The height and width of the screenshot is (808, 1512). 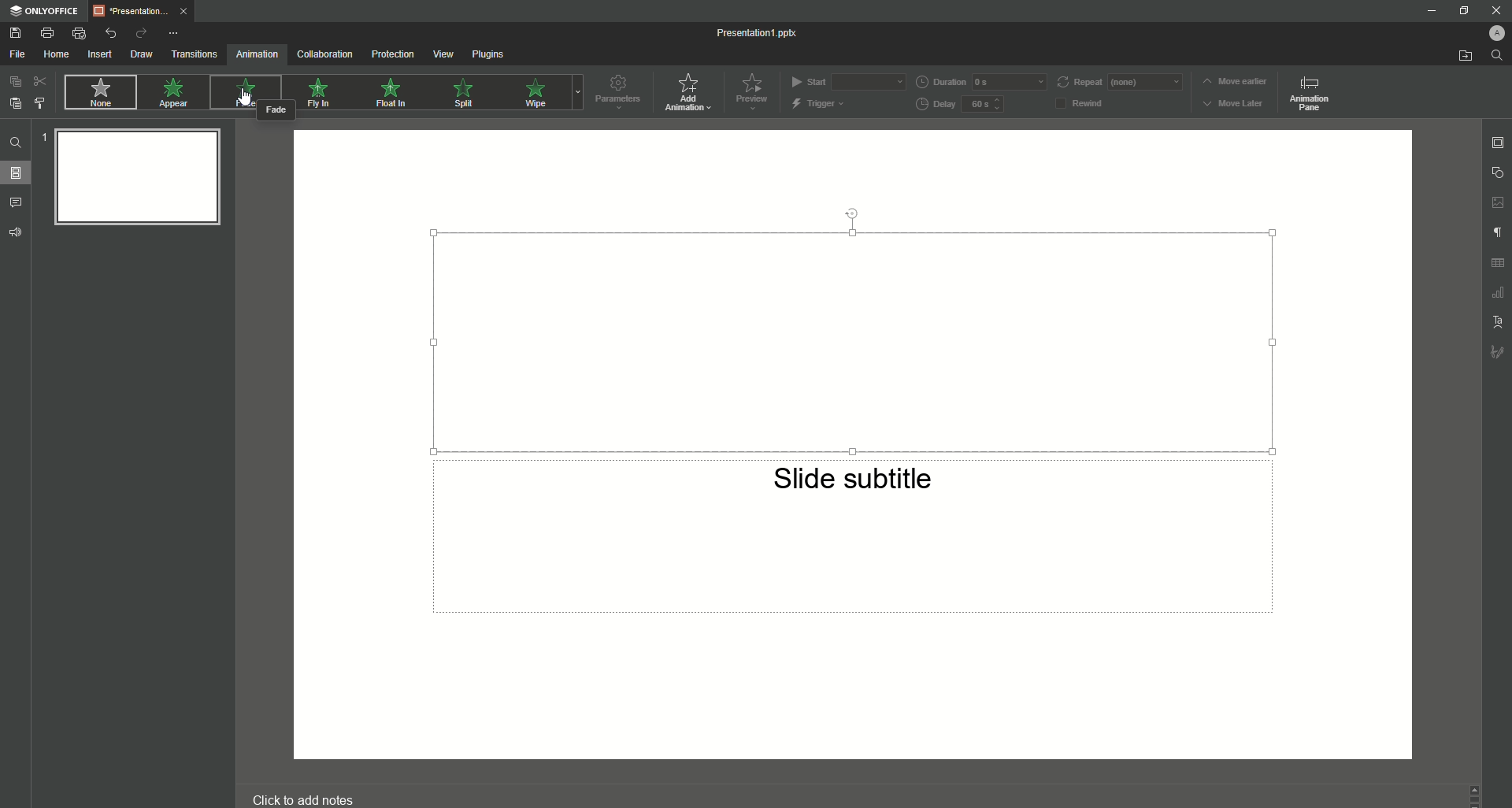 I want to click on Fade, so click(x=282, y=113).